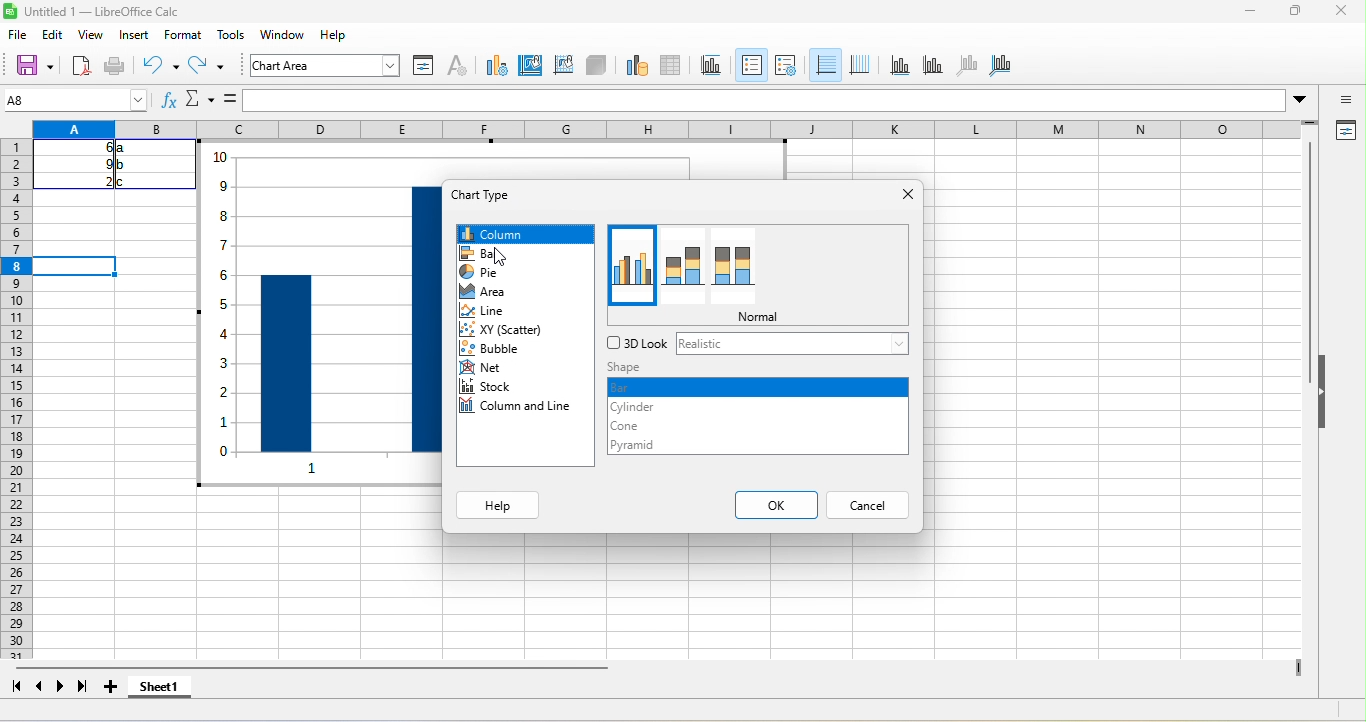 This screenshot has width=1366, height=722. I want to click on titles, so click(711, 67).